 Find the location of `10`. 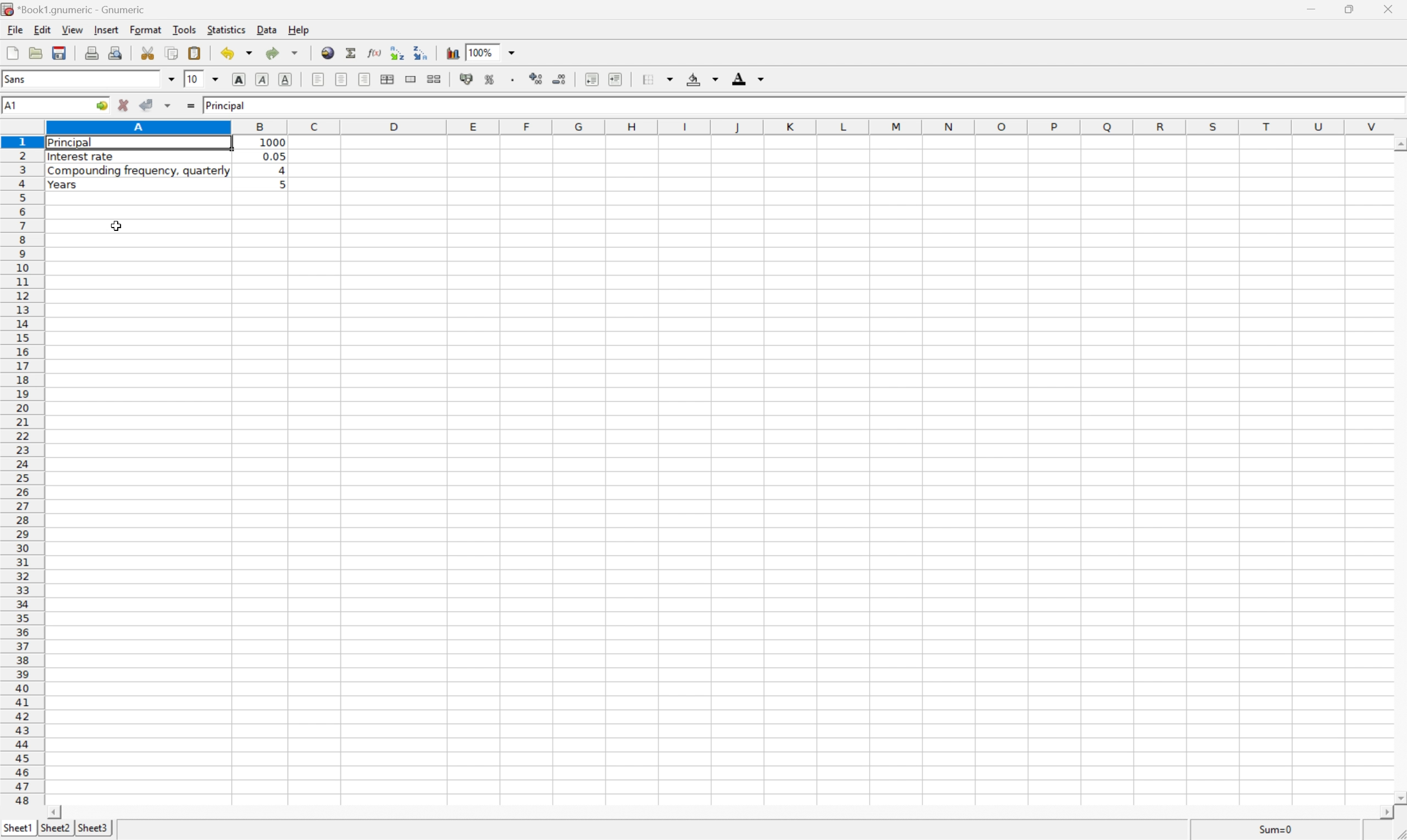

10 is located at coordinates (194, 80).